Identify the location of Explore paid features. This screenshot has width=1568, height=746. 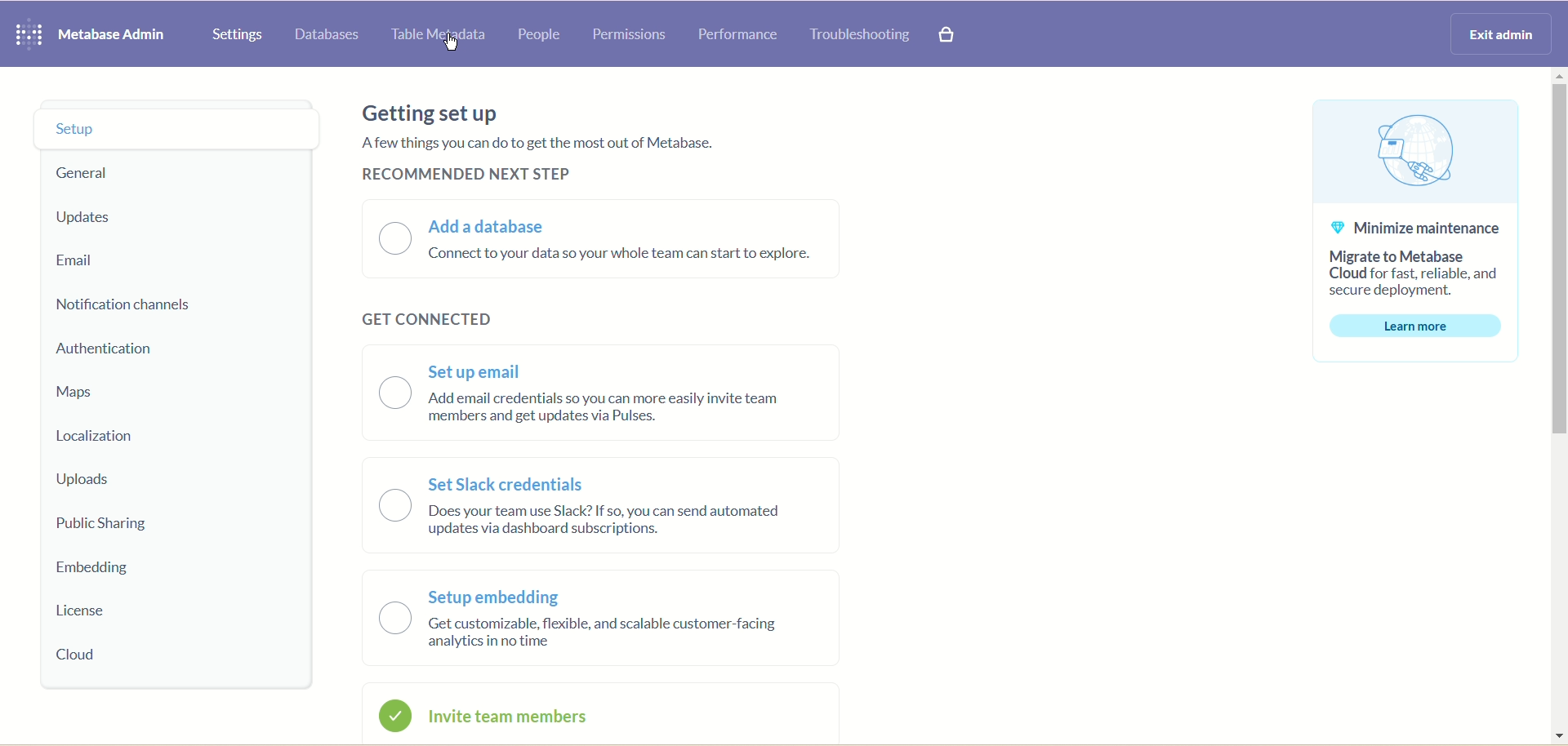
(948, 36).